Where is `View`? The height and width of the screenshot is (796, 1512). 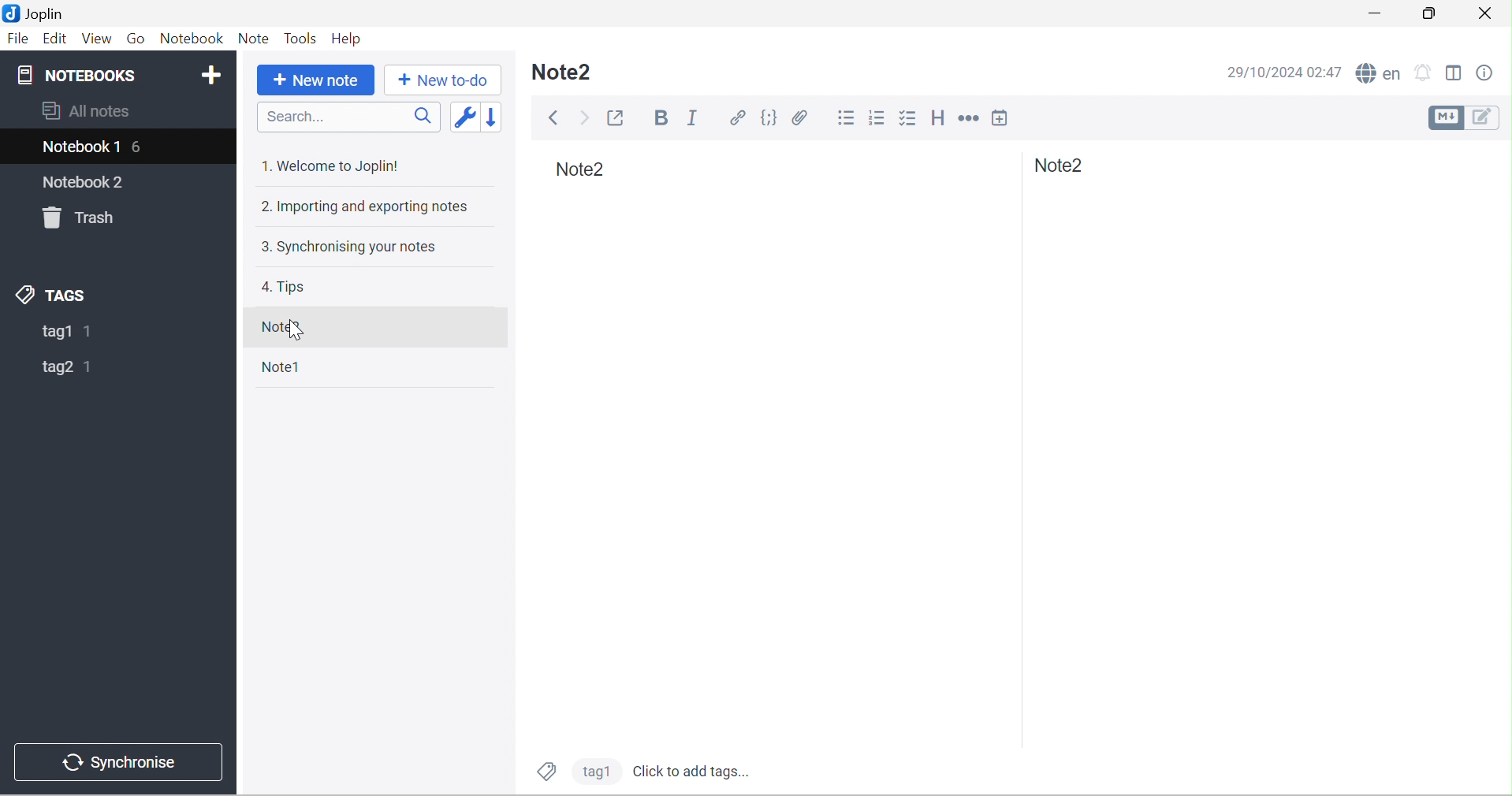
View is located at coordinates (99, 39).